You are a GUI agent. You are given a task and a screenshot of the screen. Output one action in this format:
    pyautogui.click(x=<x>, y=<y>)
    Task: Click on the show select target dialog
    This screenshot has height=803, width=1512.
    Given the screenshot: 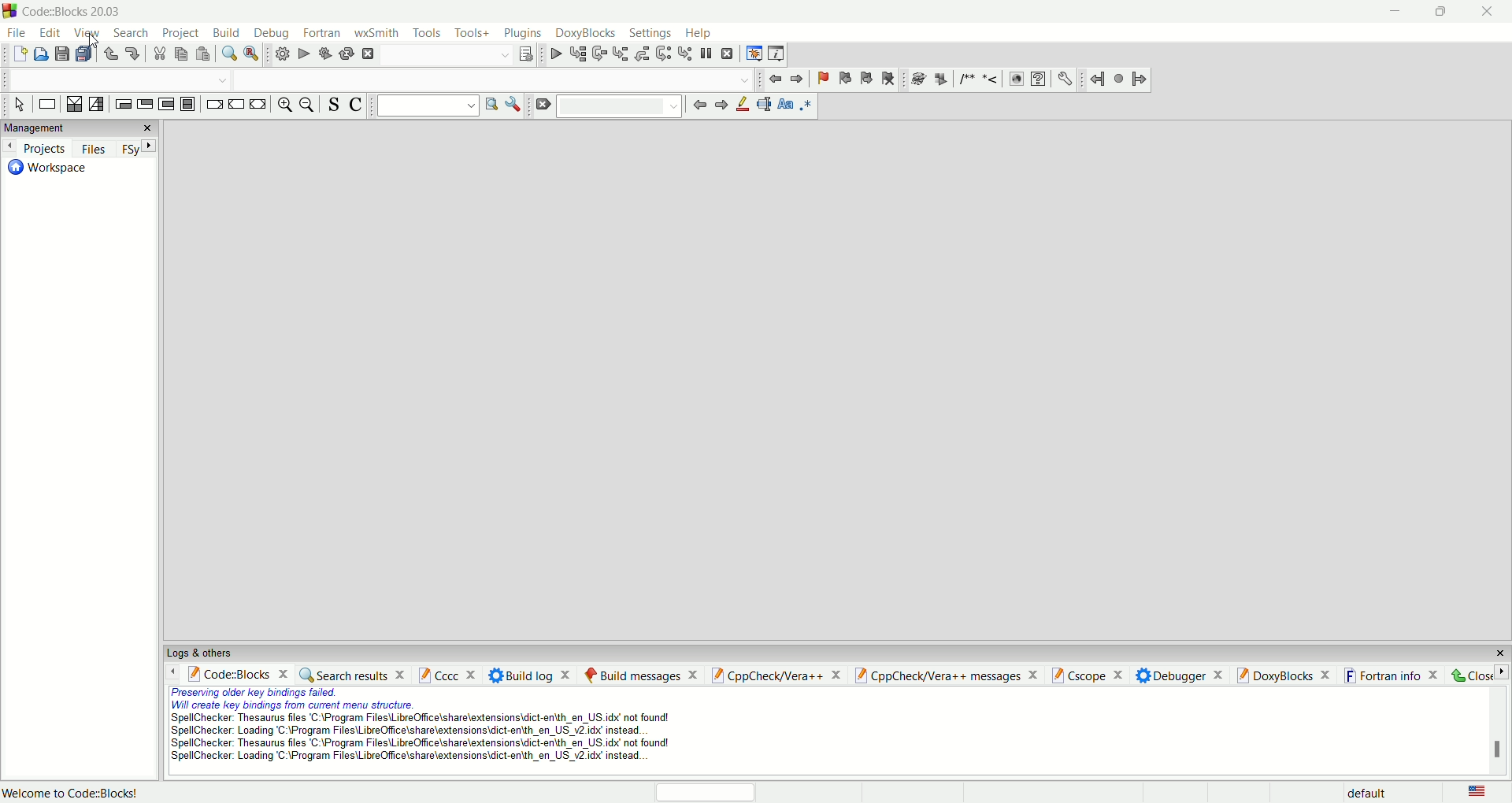 What is the action you would take?
    pyautogui.click(x=525, y=55)
    